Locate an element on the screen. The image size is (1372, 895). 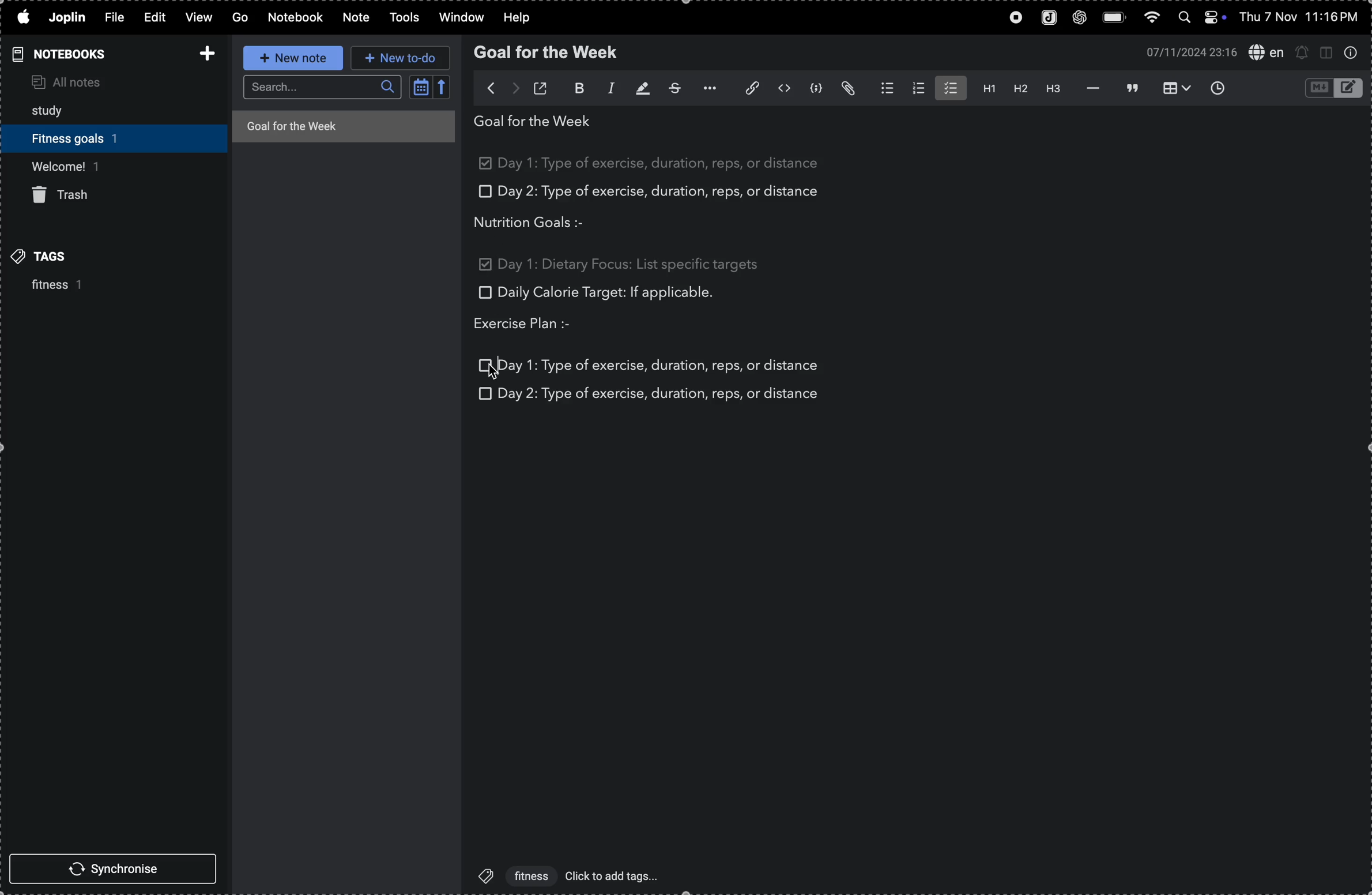
GO is located at coordinates (241, 17).